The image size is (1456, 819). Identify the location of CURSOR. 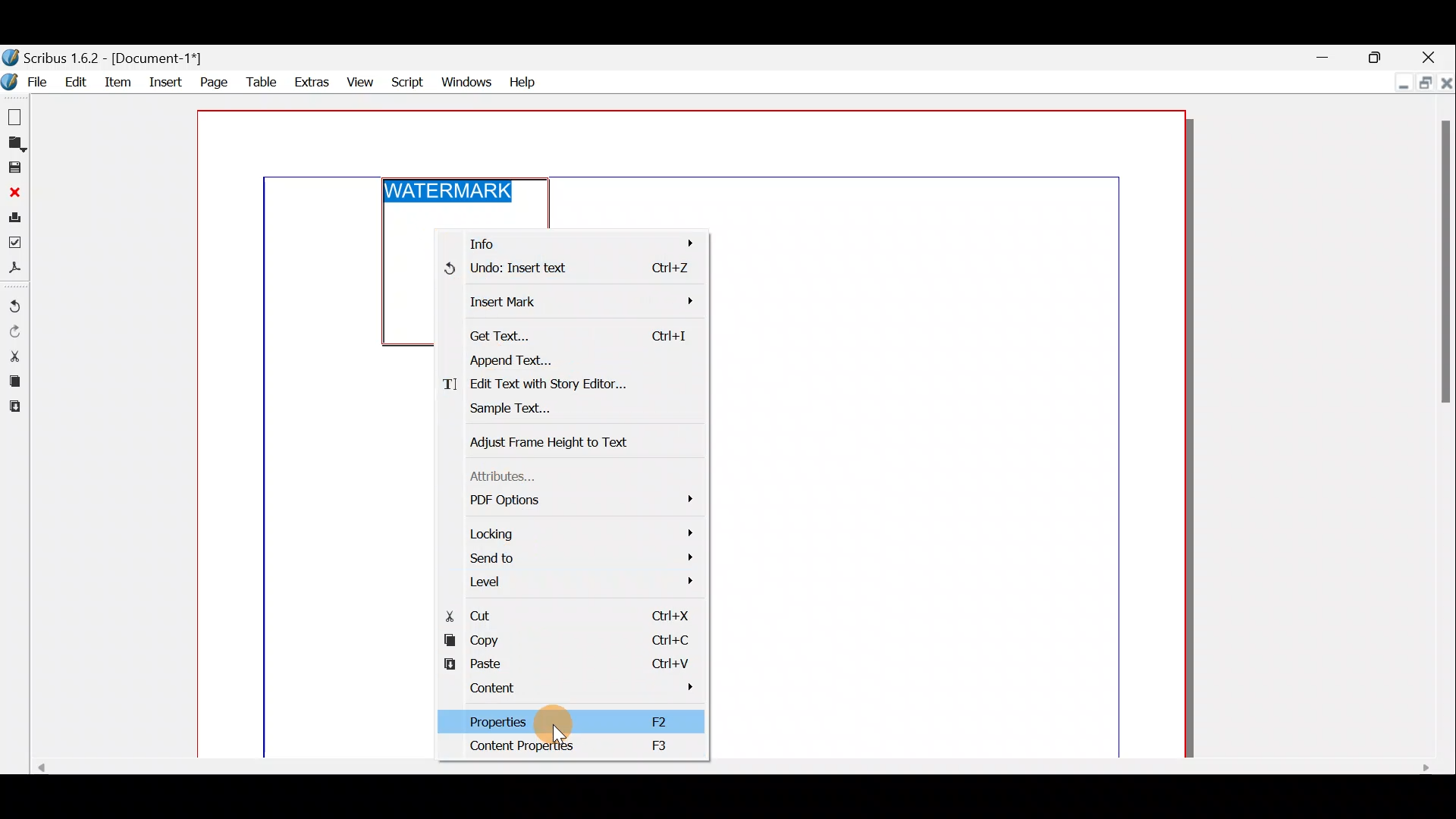
(561, 734).